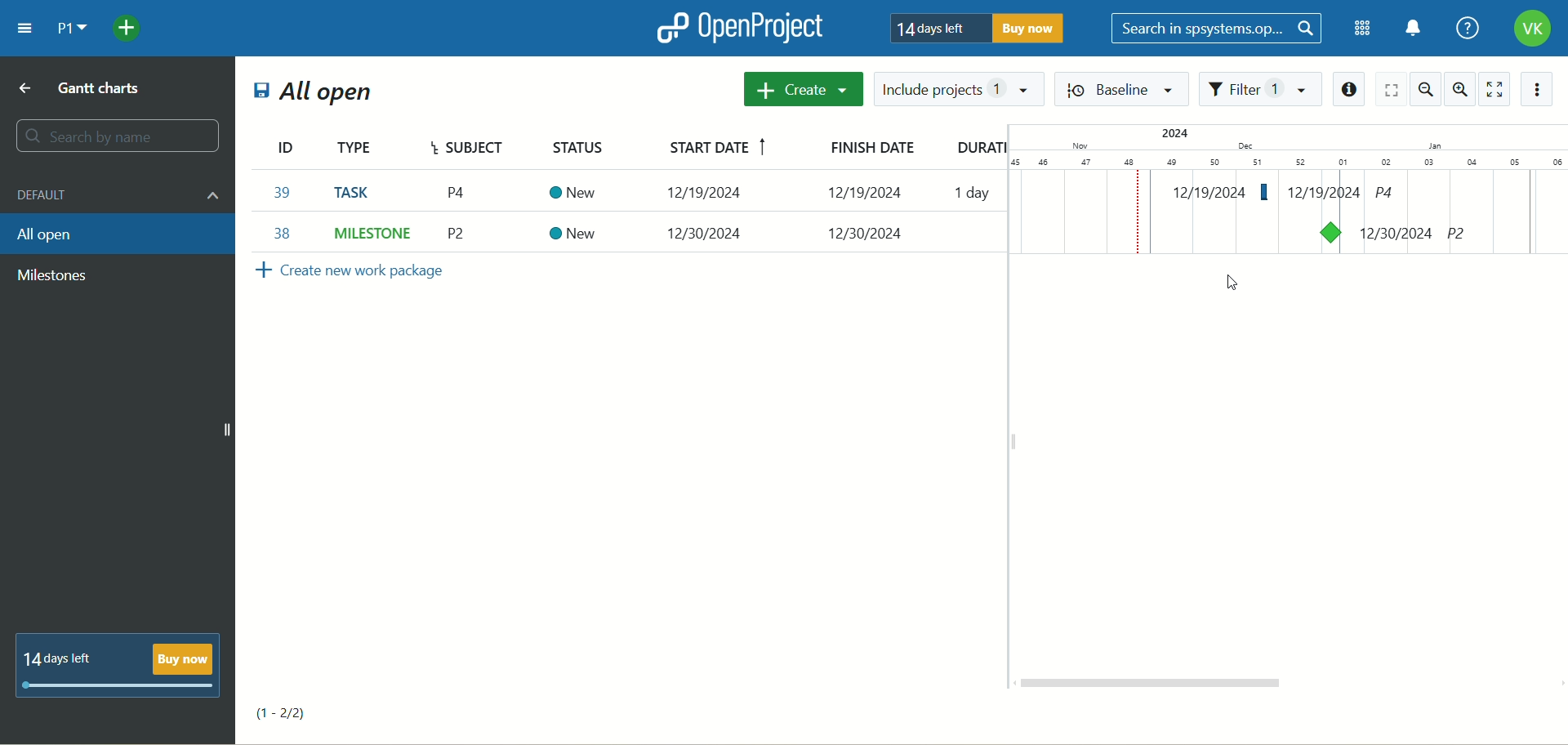  Describe the element at coordinates (866, 233) in the screenshot. I see `-` at that location.